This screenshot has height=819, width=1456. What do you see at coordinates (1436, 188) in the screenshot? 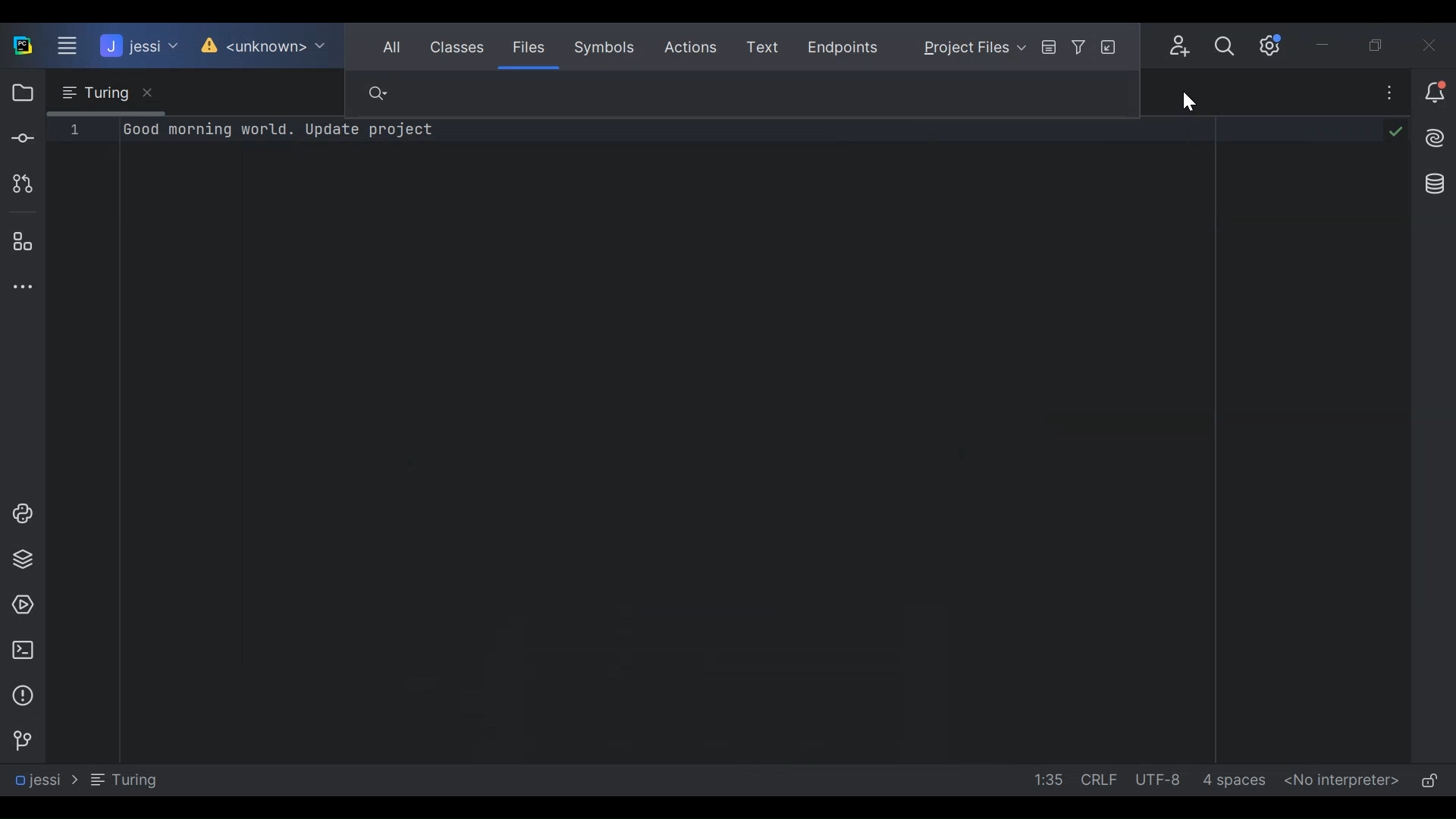
I see `Database` at bounding box center [1436, 188].